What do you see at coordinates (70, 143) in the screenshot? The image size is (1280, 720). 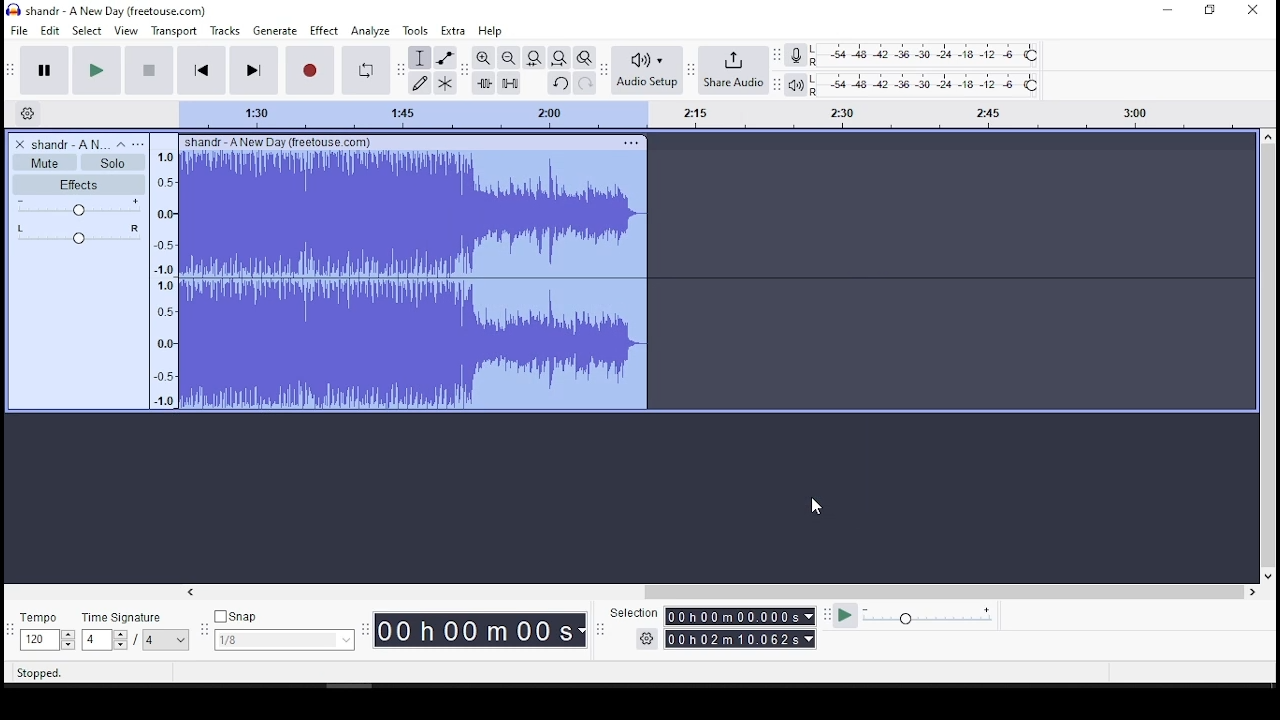 I see `audio name` at bounding box center [70, 143].